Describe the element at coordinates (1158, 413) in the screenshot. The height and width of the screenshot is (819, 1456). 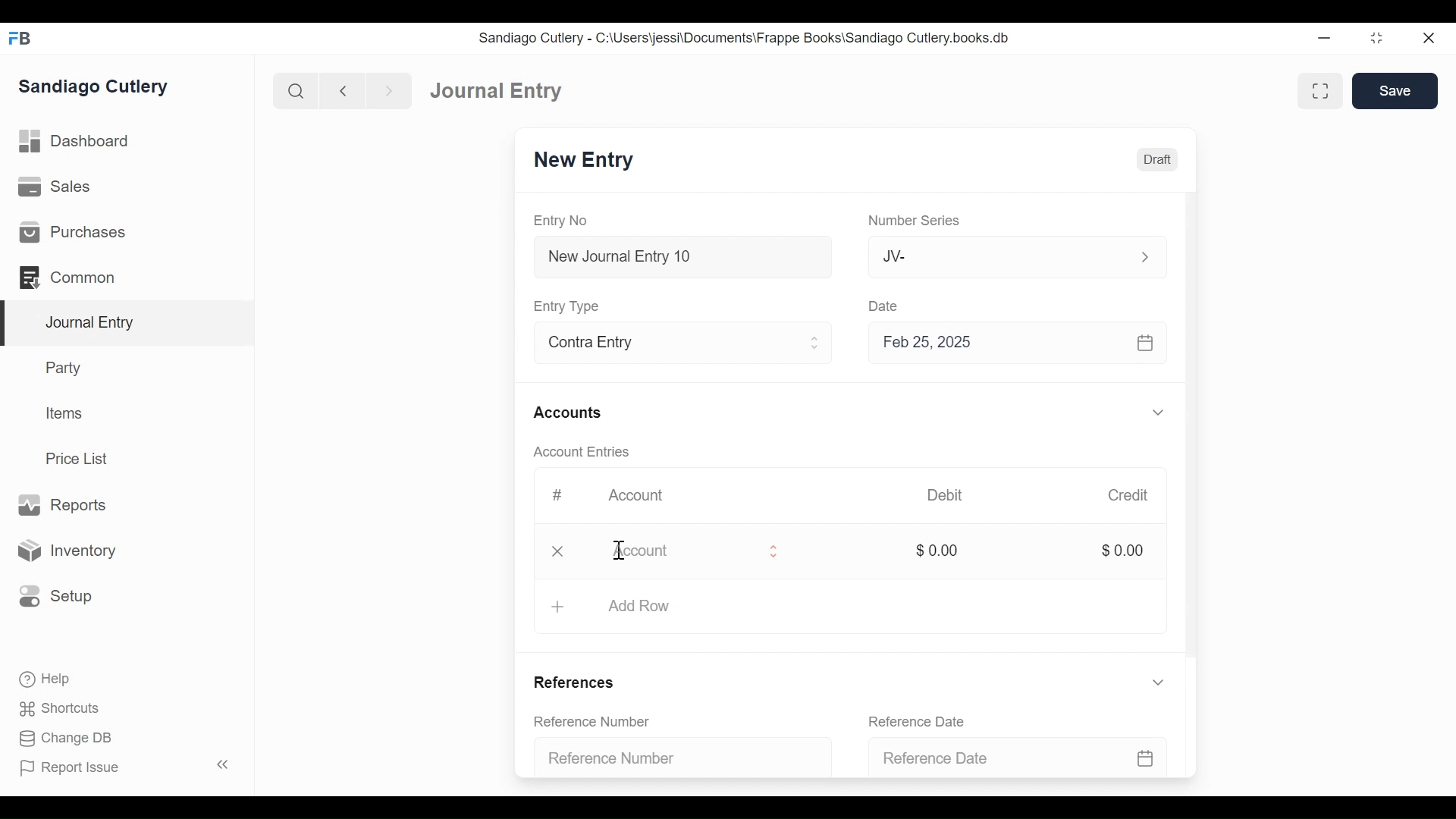
I see `Expand` at that location.